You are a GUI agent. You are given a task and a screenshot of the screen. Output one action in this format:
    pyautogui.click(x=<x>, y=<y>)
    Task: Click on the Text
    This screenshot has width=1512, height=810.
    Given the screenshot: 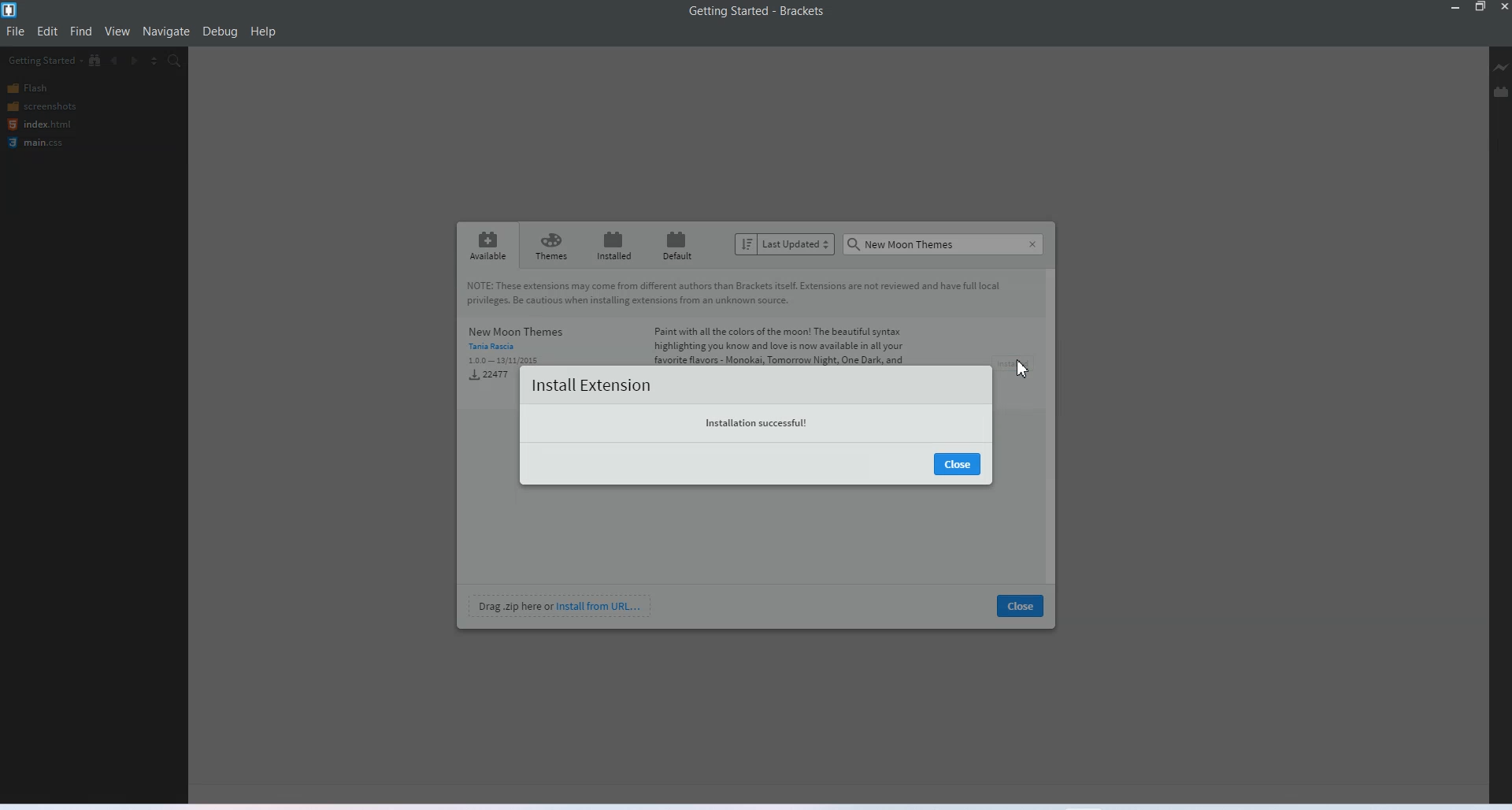 What is the action you would take?
    pyautogui.click(x=903, y=242)
    